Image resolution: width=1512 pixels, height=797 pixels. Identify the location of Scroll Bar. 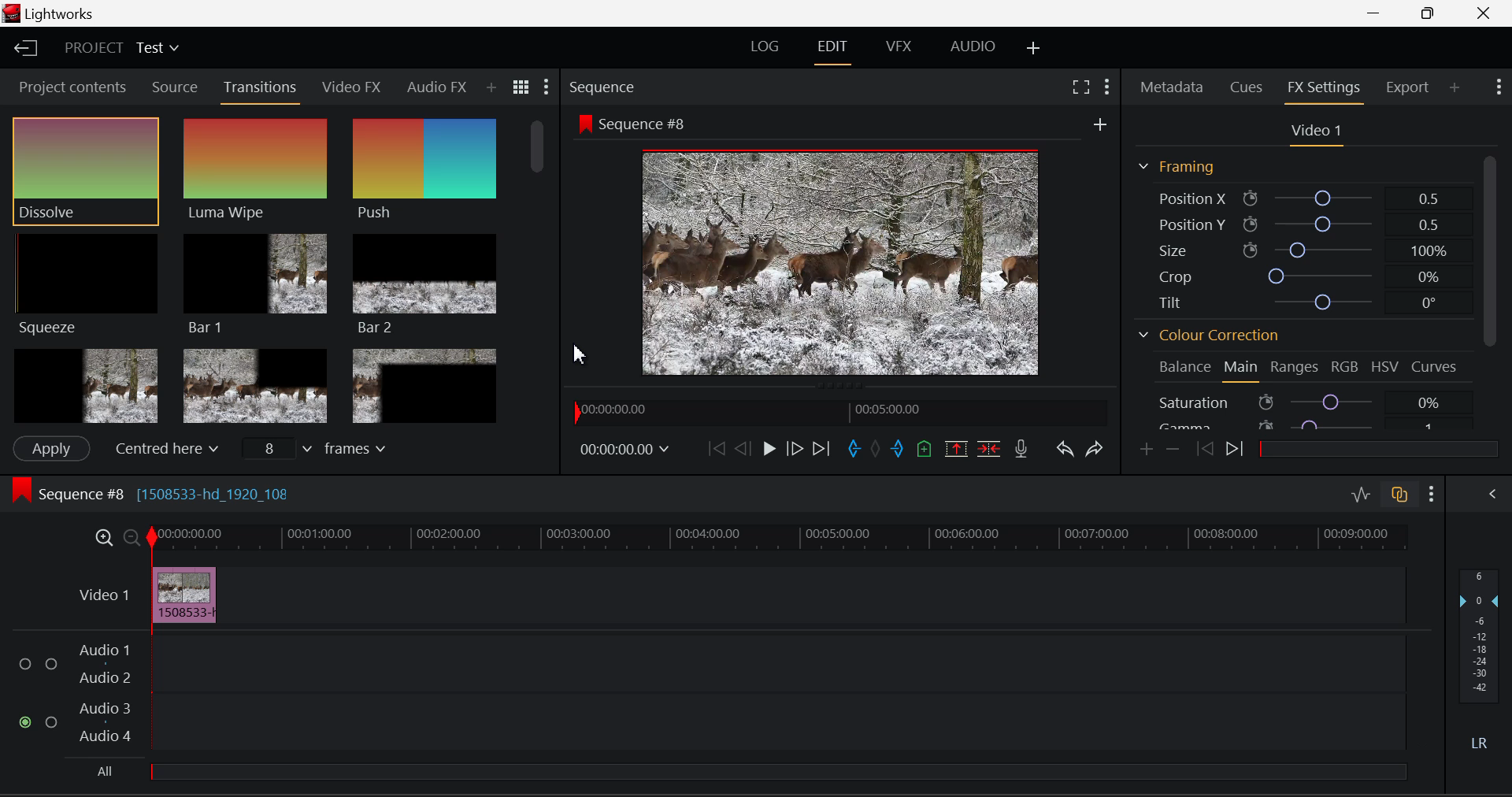
(1490, 293).